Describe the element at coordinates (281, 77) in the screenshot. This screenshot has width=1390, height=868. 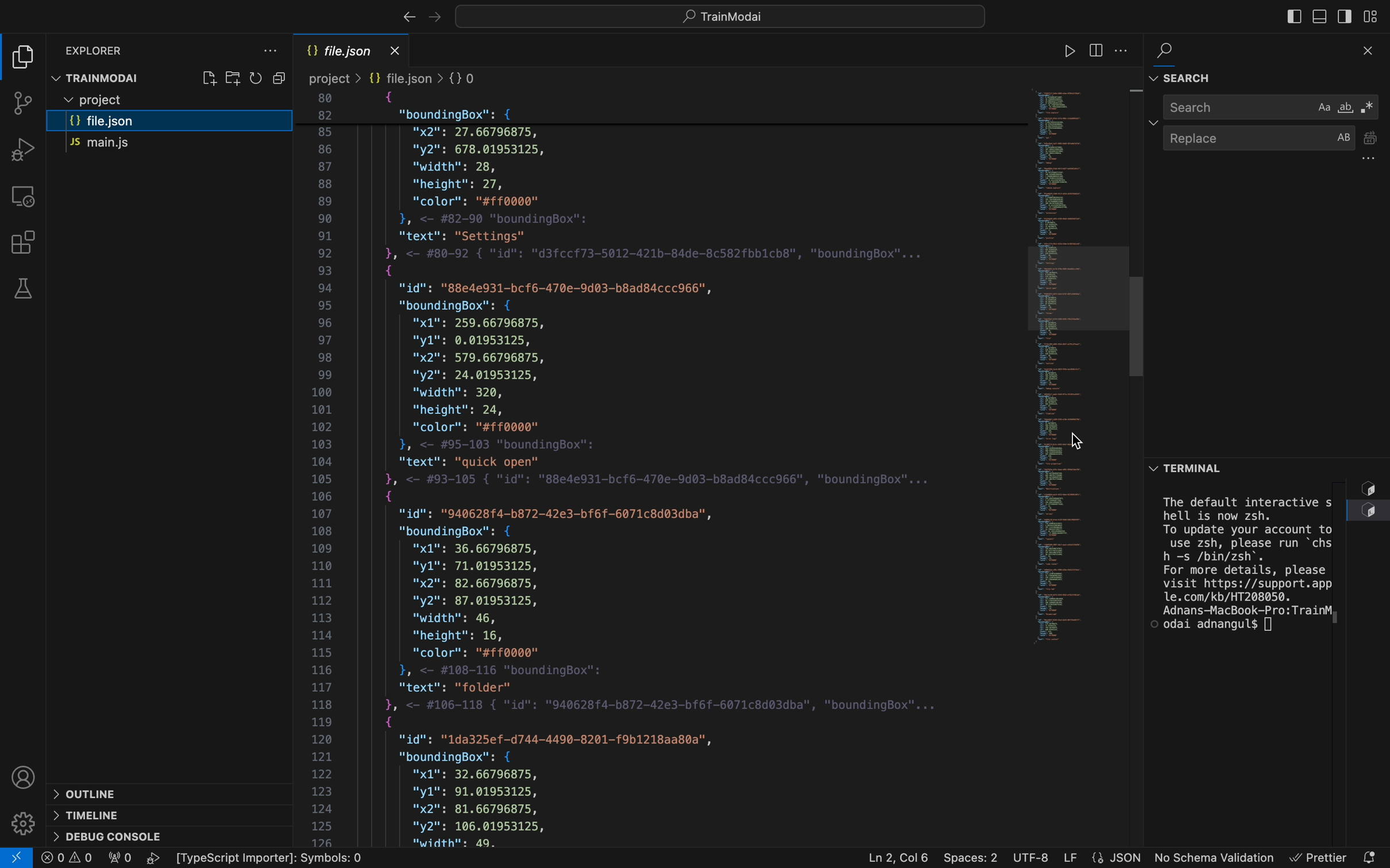
I see `` at that location.